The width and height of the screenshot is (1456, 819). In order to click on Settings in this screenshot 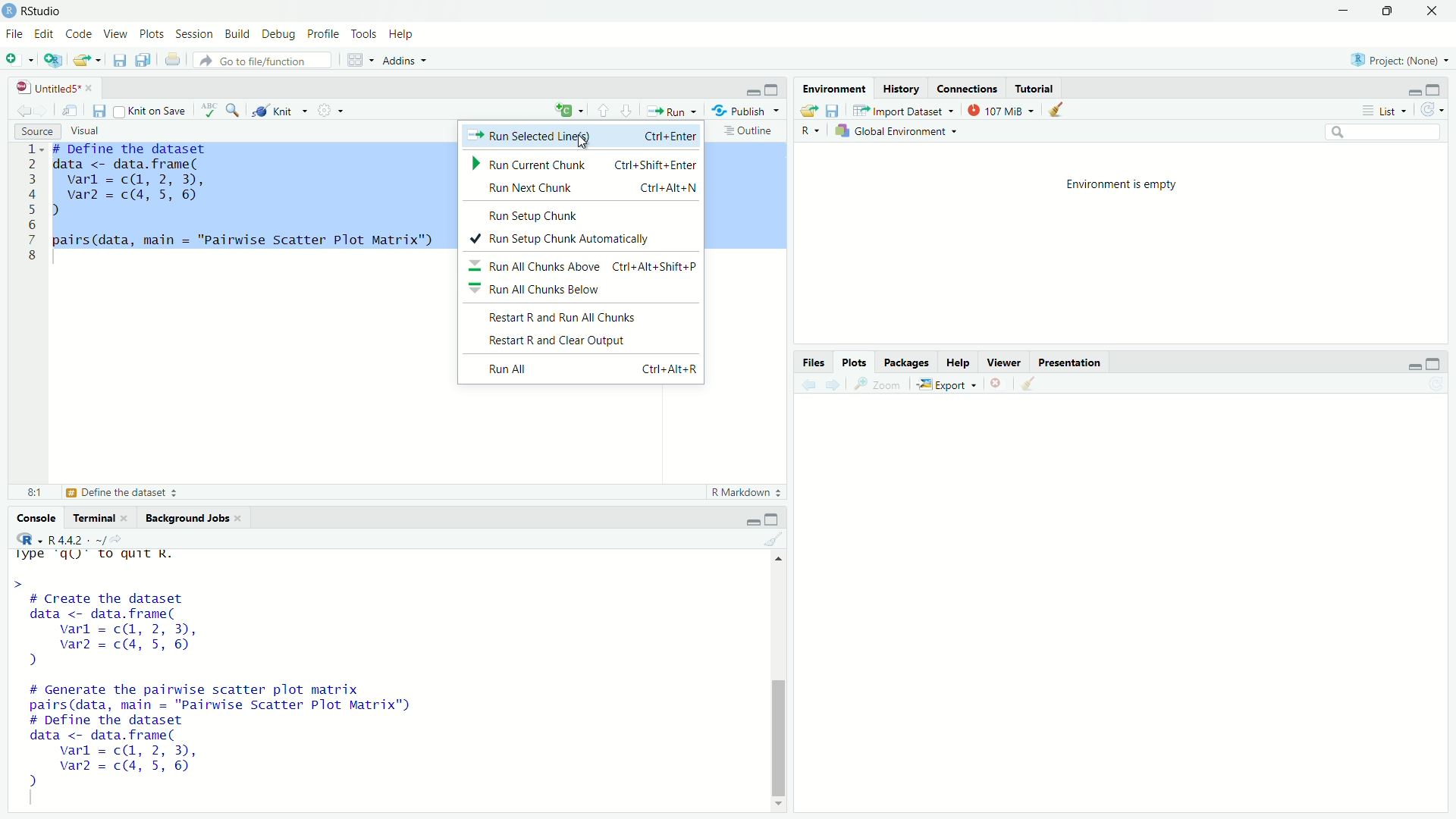, I will do `click(330, 109)`.